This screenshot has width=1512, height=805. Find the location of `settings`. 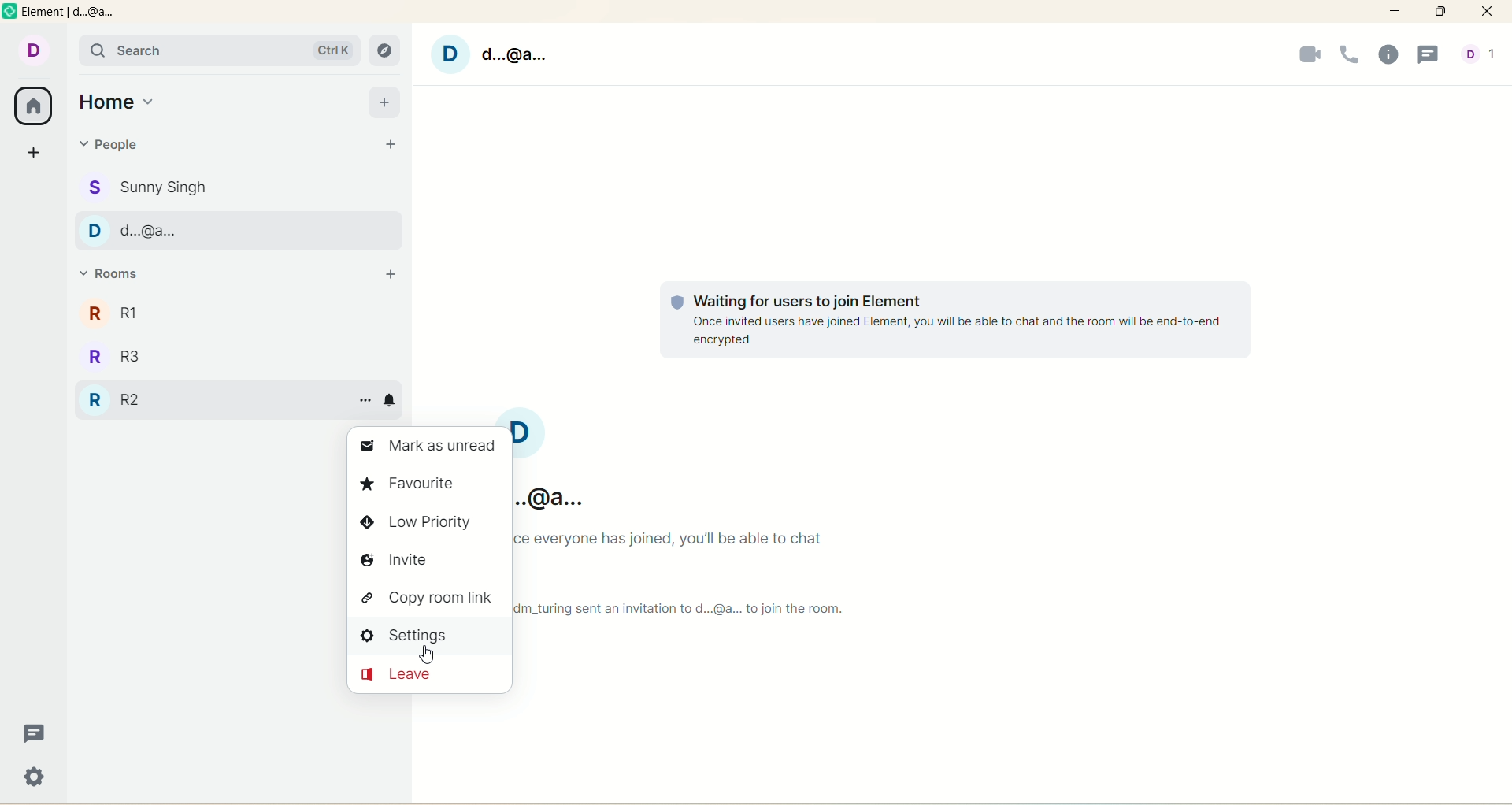

settings is located at coordinates (35, 779).